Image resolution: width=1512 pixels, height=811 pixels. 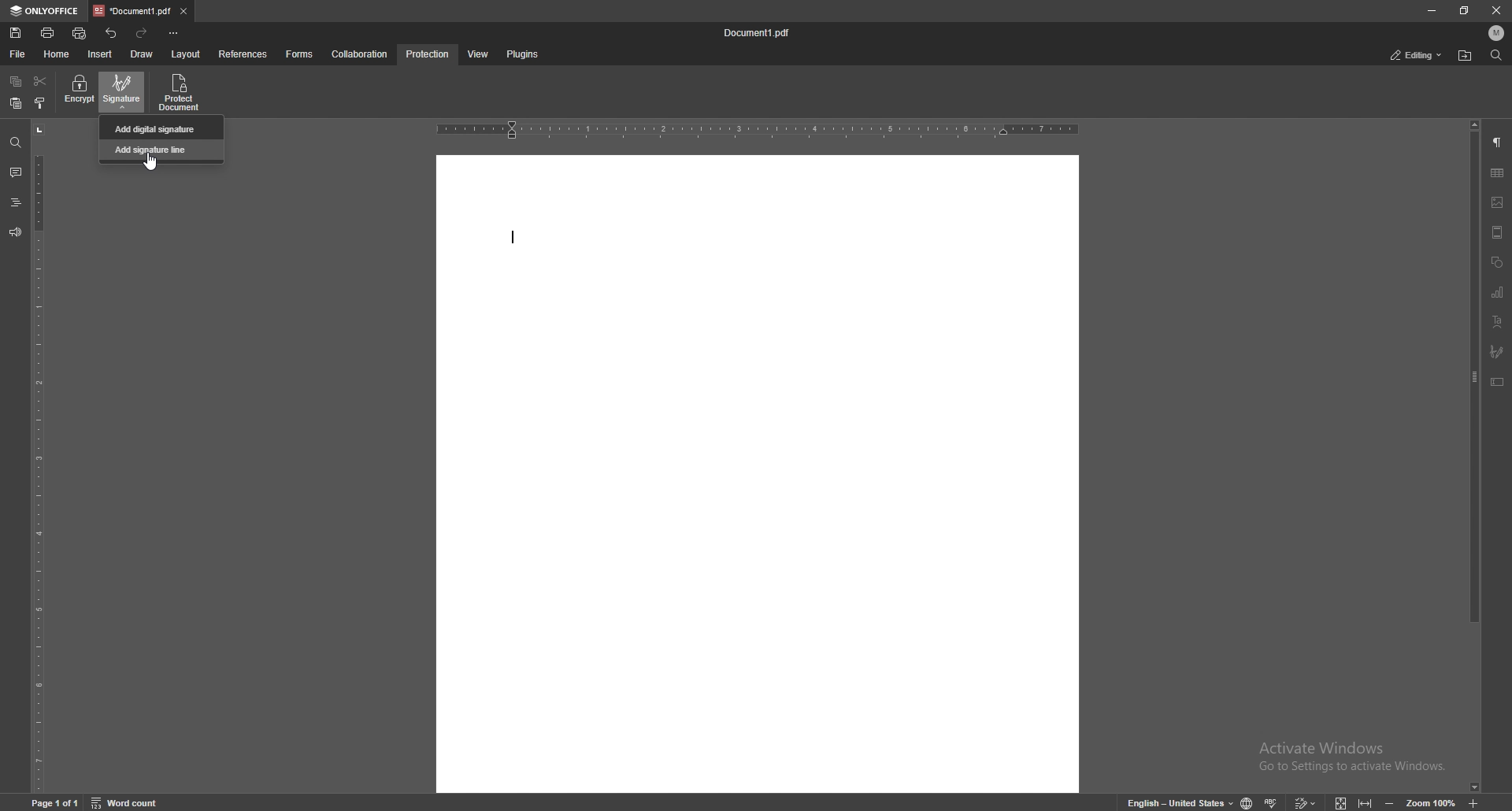 What do you see at coordinates (154, 165) in the screenshot?
I see `cursor` at bounding box center [154, 165].